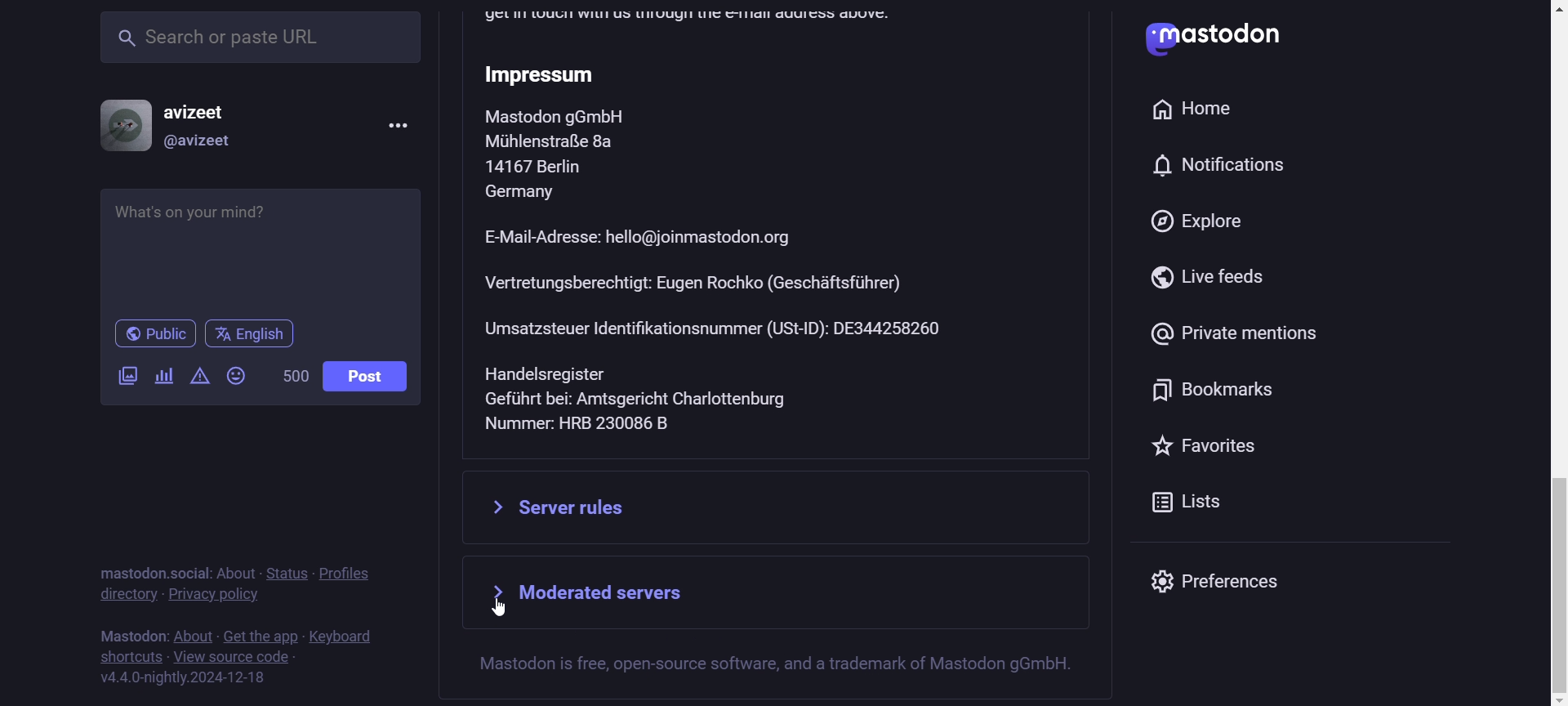 The height and width of the screenshot is (706, 1568). Describe the element at coordinates (262, 249) in the screenshot. I see `whats on your mind` at that location.